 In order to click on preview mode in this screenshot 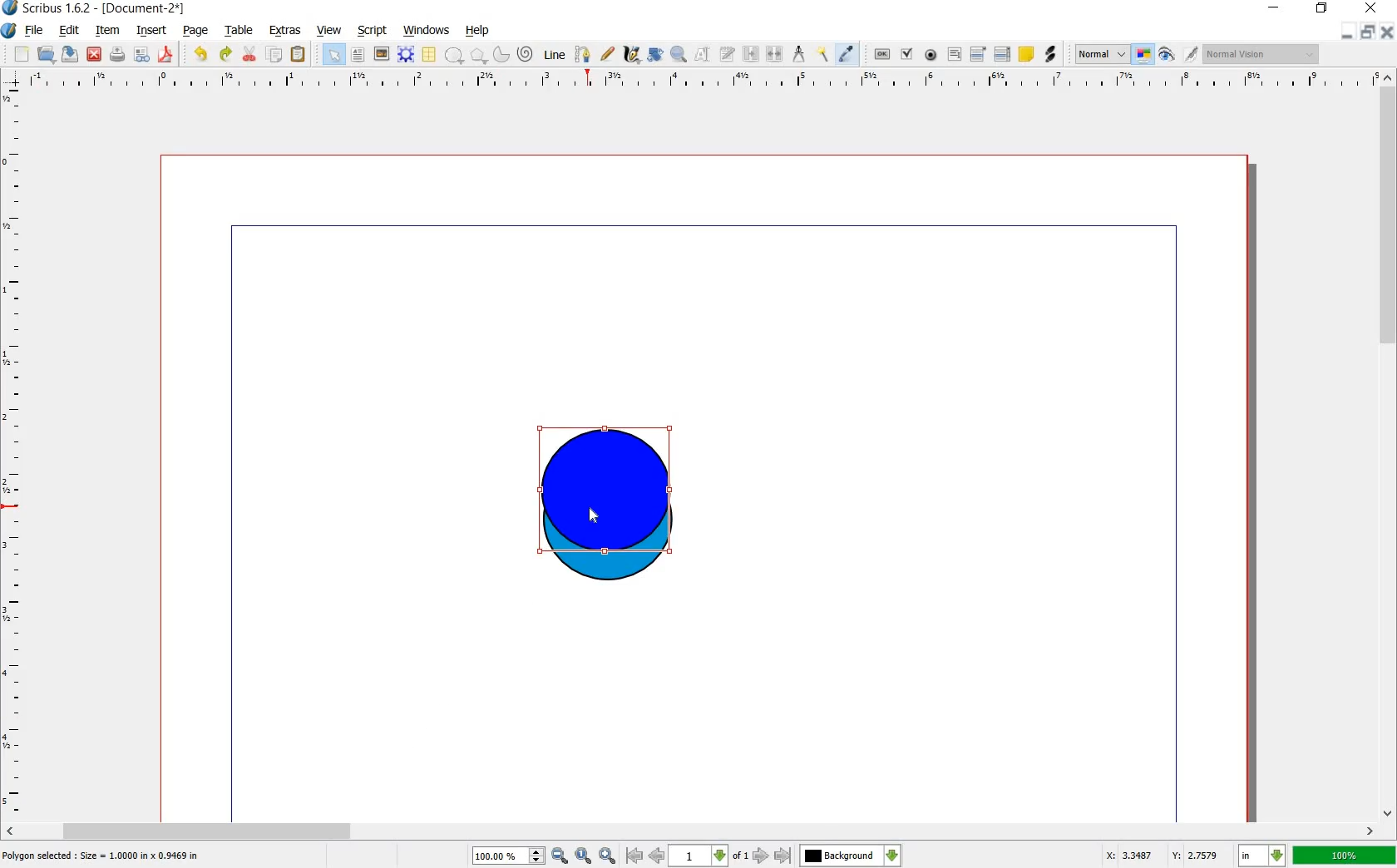, I will do `click(1166, 57)`.